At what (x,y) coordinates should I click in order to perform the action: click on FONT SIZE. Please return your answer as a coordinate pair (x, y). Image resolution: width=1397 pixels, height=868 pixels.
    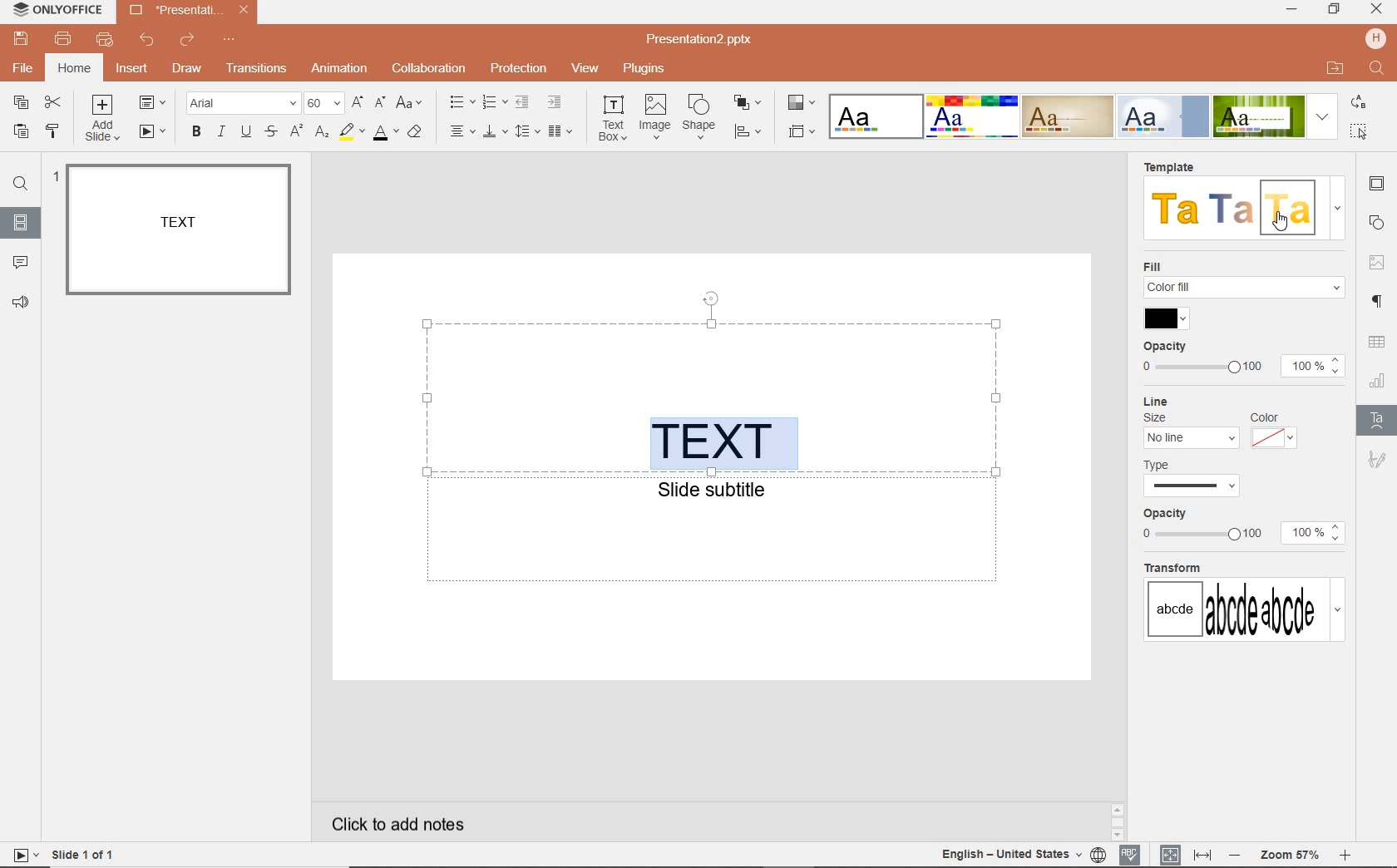
    Looking at the image, I should click on (325, 104).